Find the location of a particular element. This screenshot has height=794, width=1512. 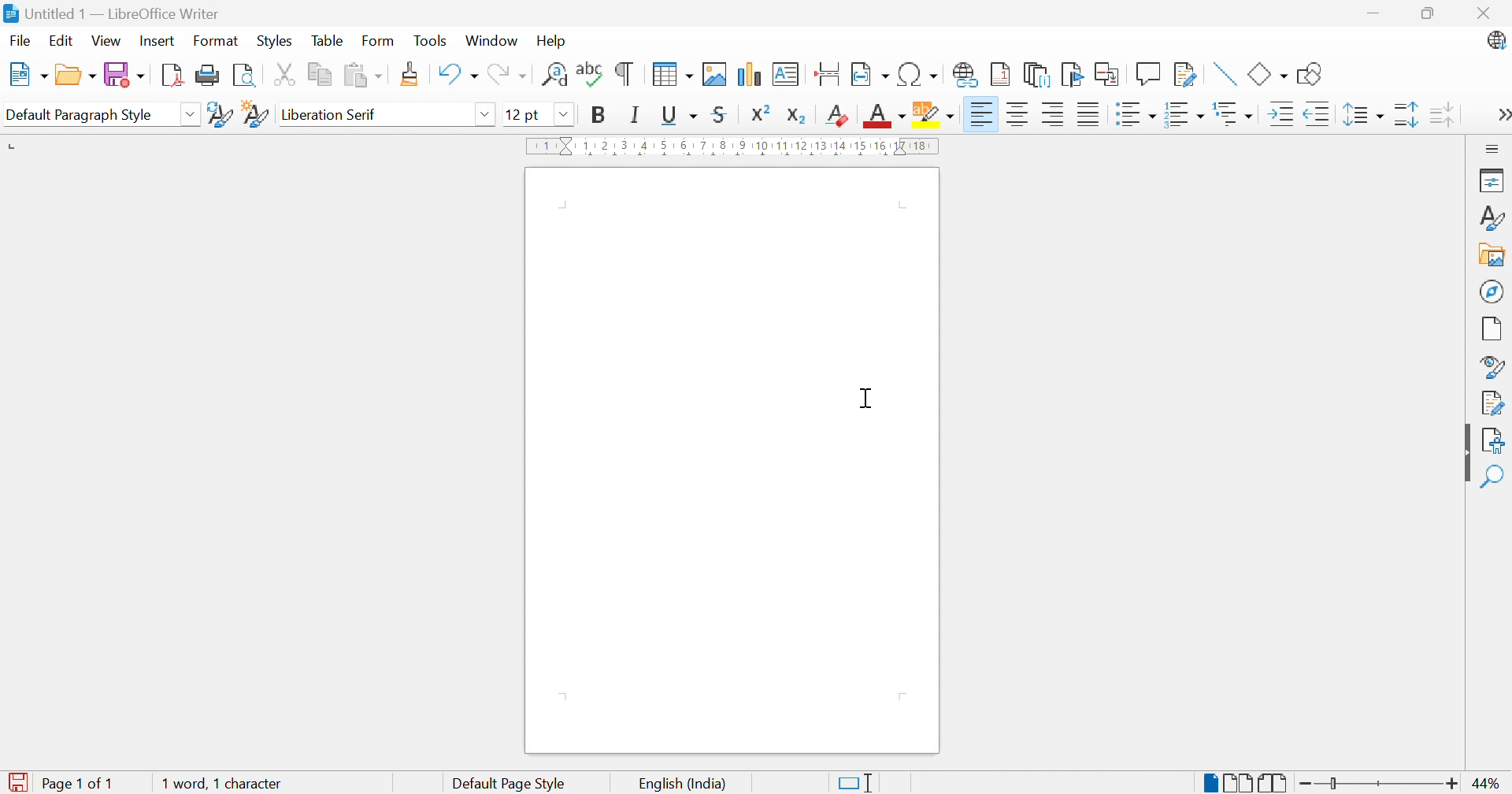

LibreOffice update available is located at coordinates (1495, 39).